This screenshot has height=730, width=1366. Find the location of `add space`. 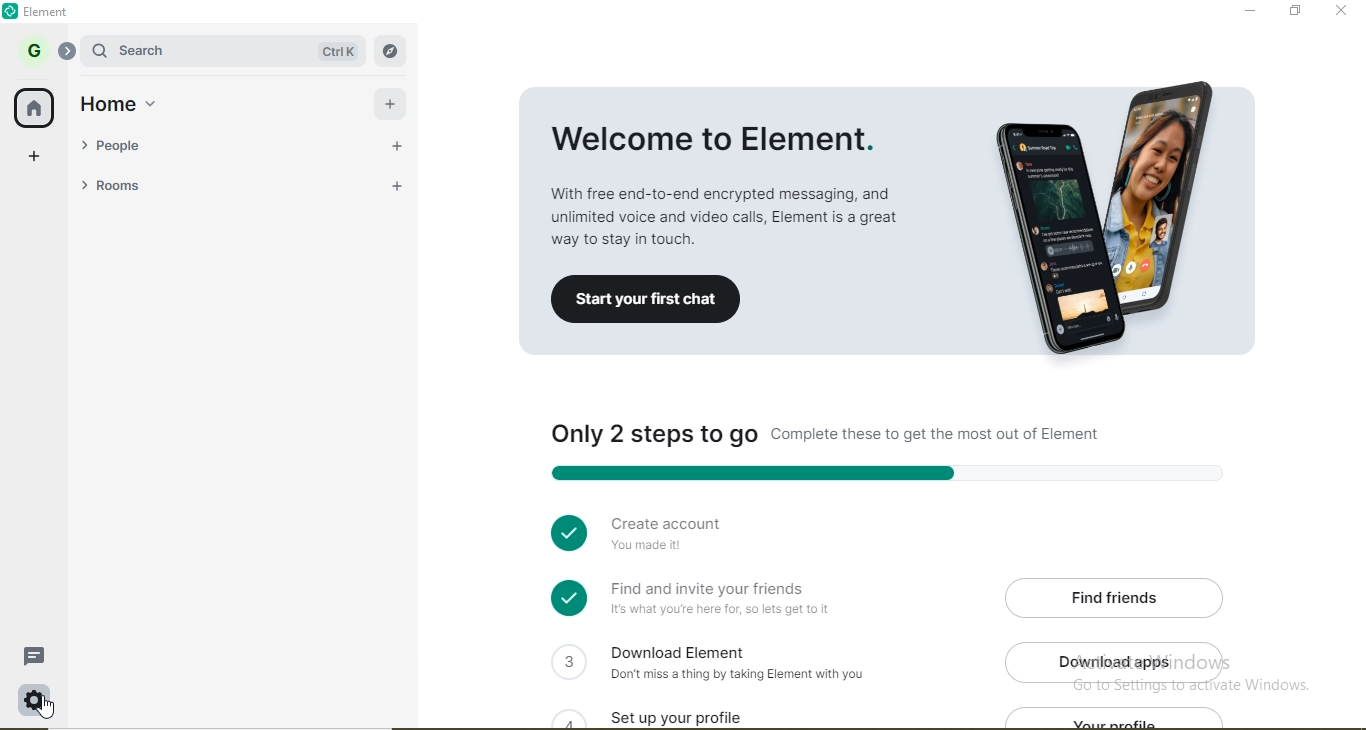

add space is located at coordinates (35, 161).